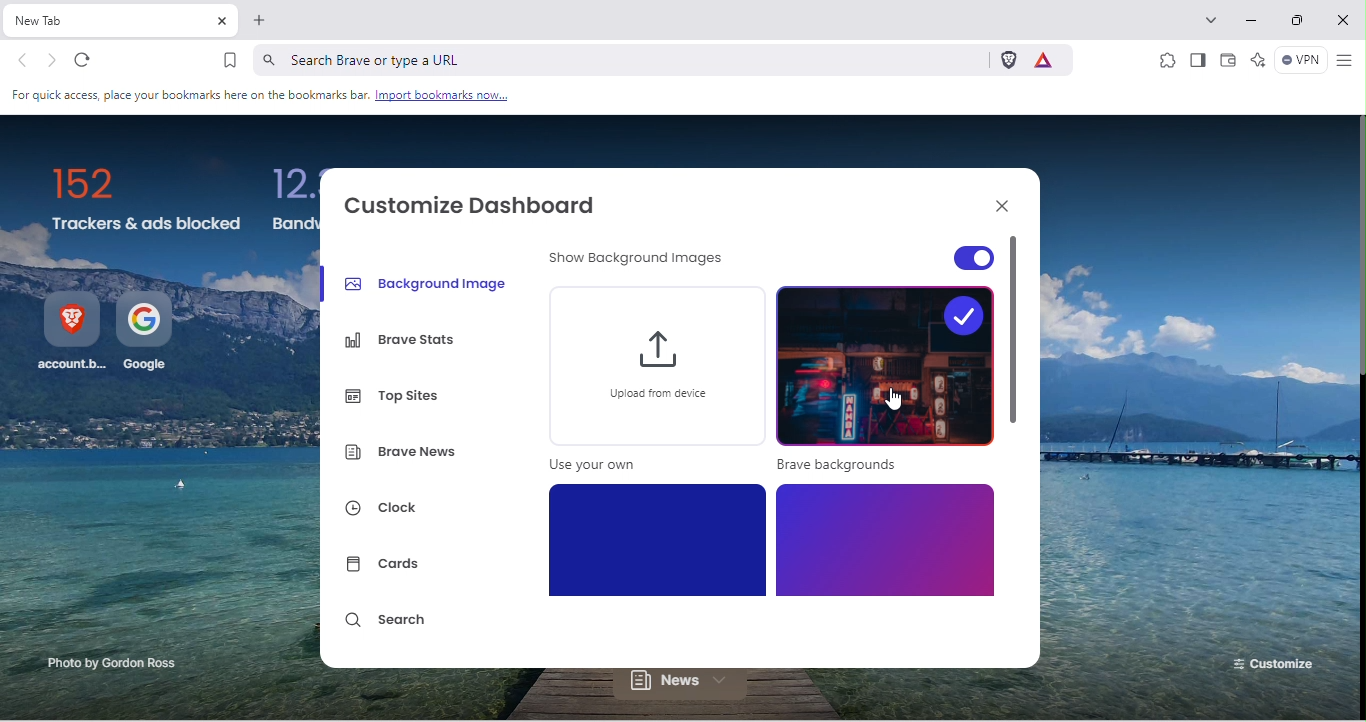 Image resolution: width=1366 pixels, height=722 pixels. Describe the element at coordinates (149, 334) in the screenshot. I see `Google` at that location.